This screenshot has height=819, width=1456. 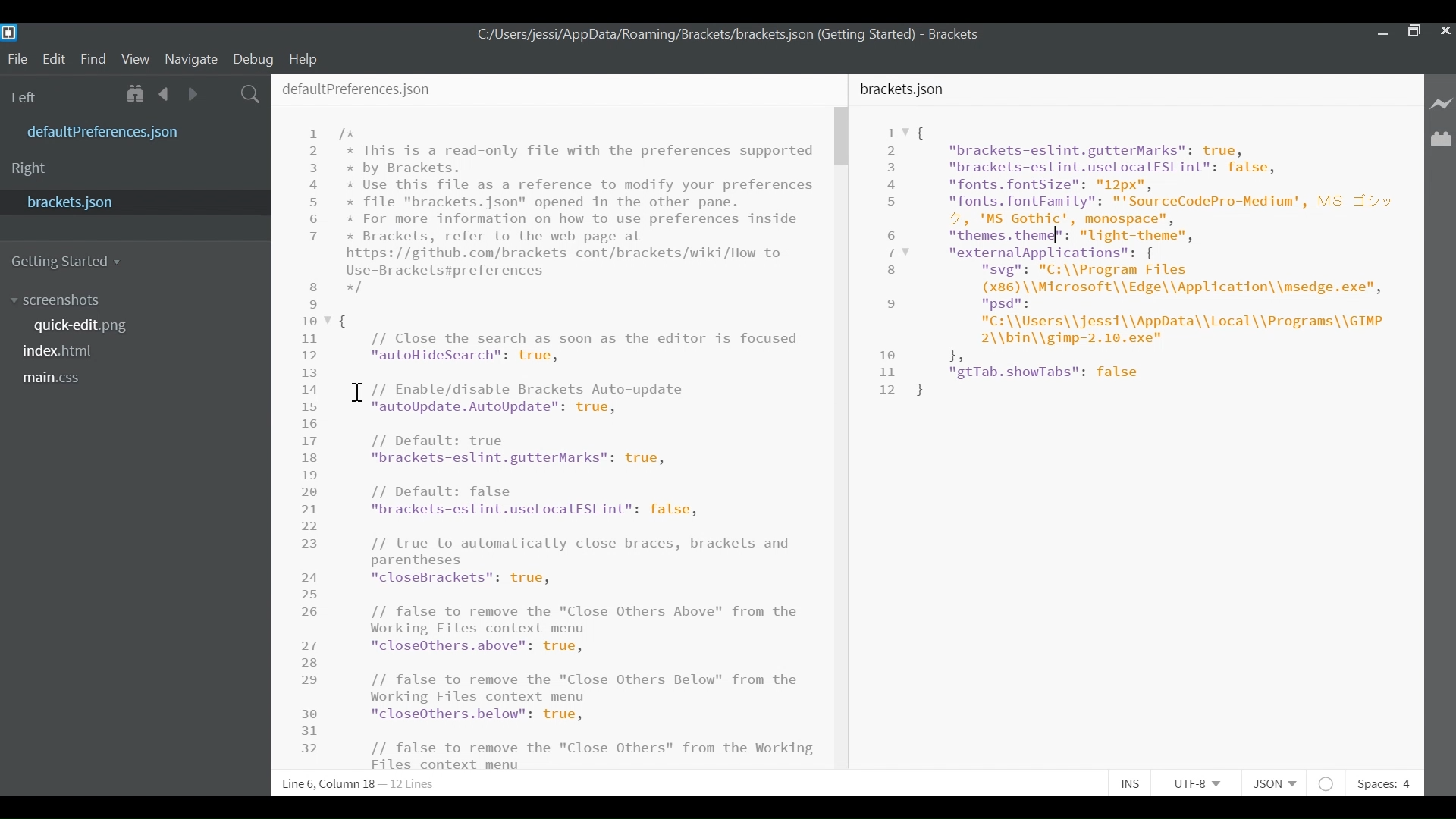 I want to click on Show Files in tree, so click(x=137, y=93).